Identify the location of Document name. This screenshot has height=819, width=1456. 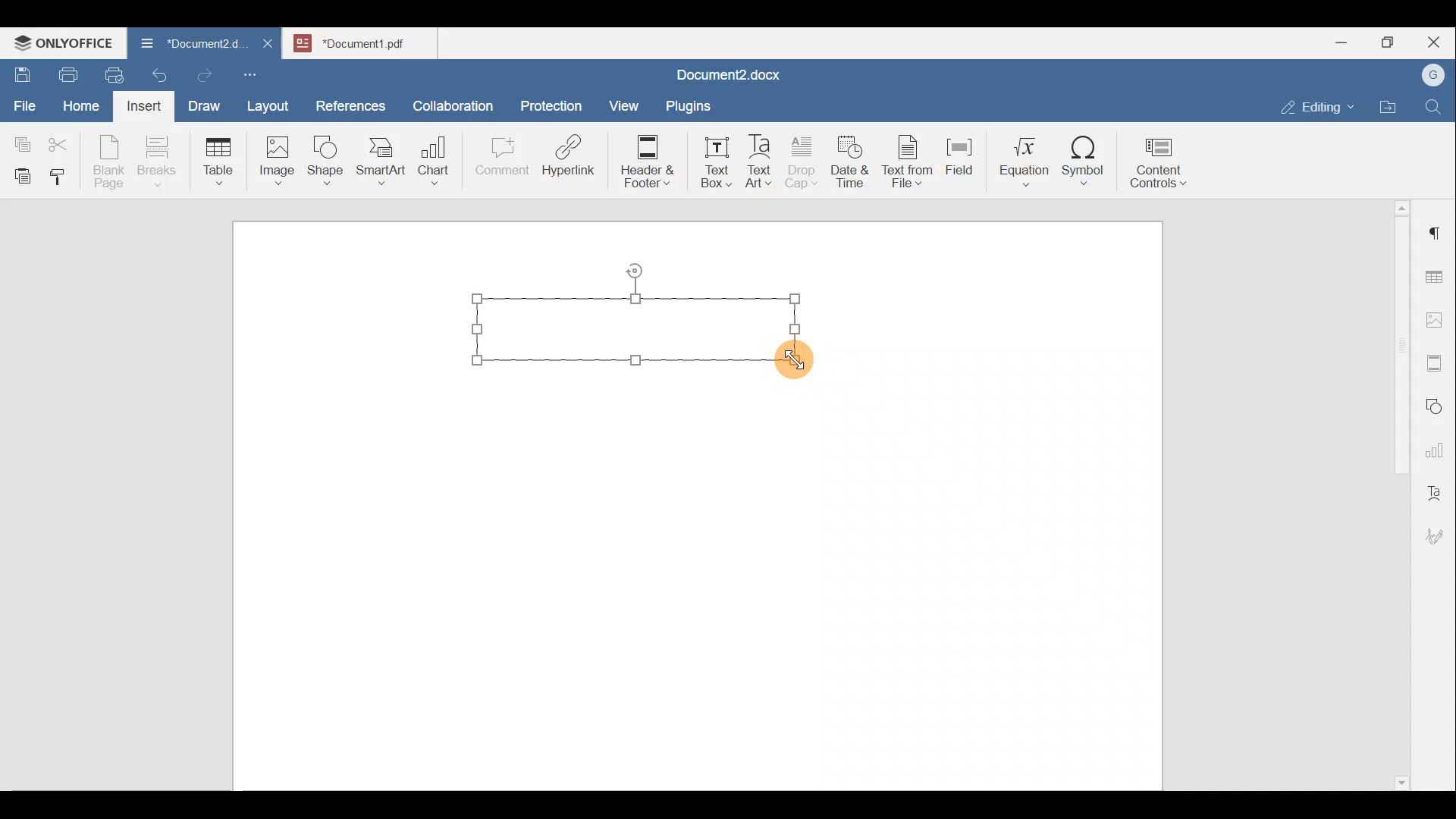
(725, 77).